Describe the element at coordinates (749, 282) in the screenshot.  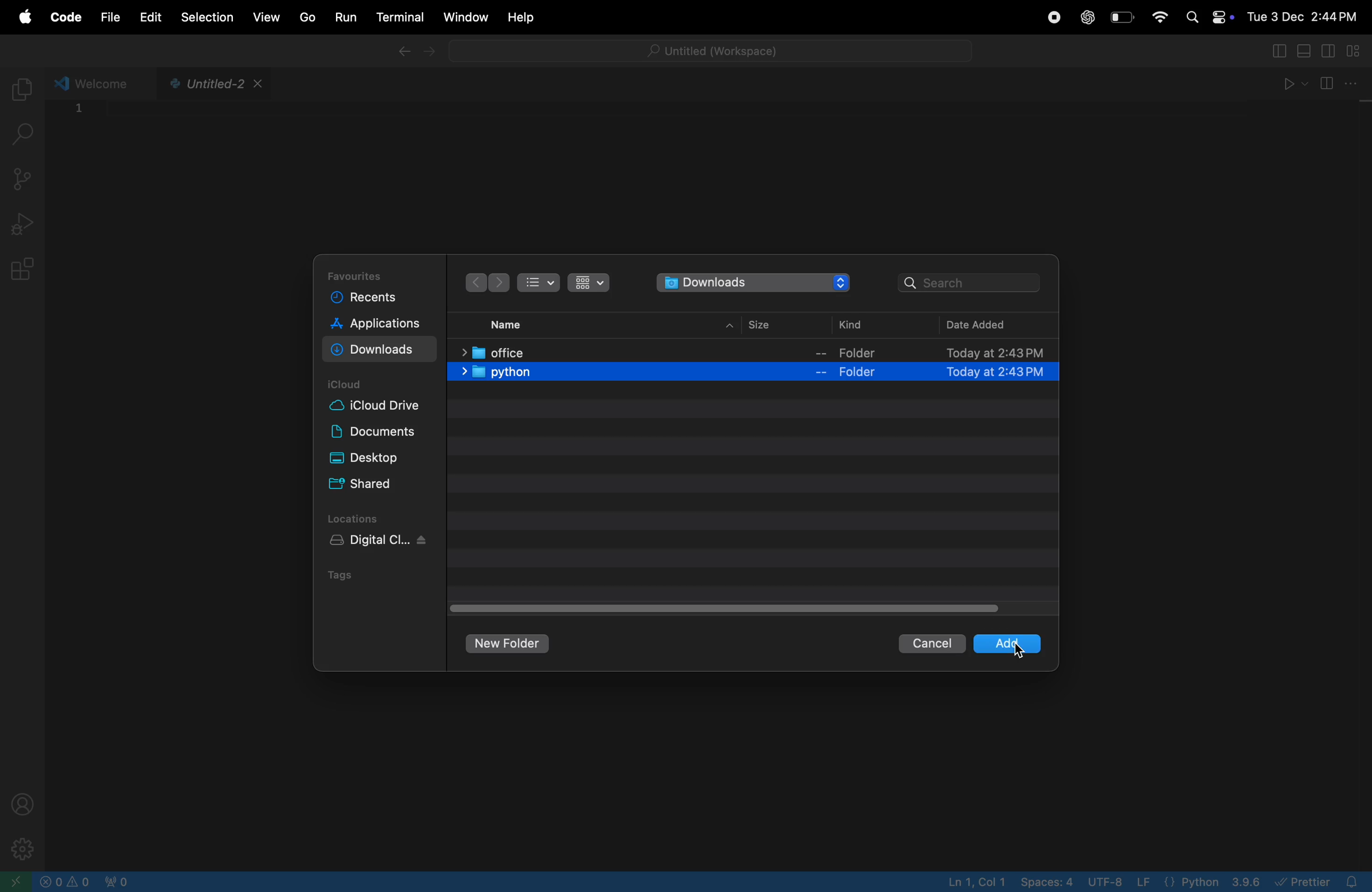
I see `downloads` at that location.